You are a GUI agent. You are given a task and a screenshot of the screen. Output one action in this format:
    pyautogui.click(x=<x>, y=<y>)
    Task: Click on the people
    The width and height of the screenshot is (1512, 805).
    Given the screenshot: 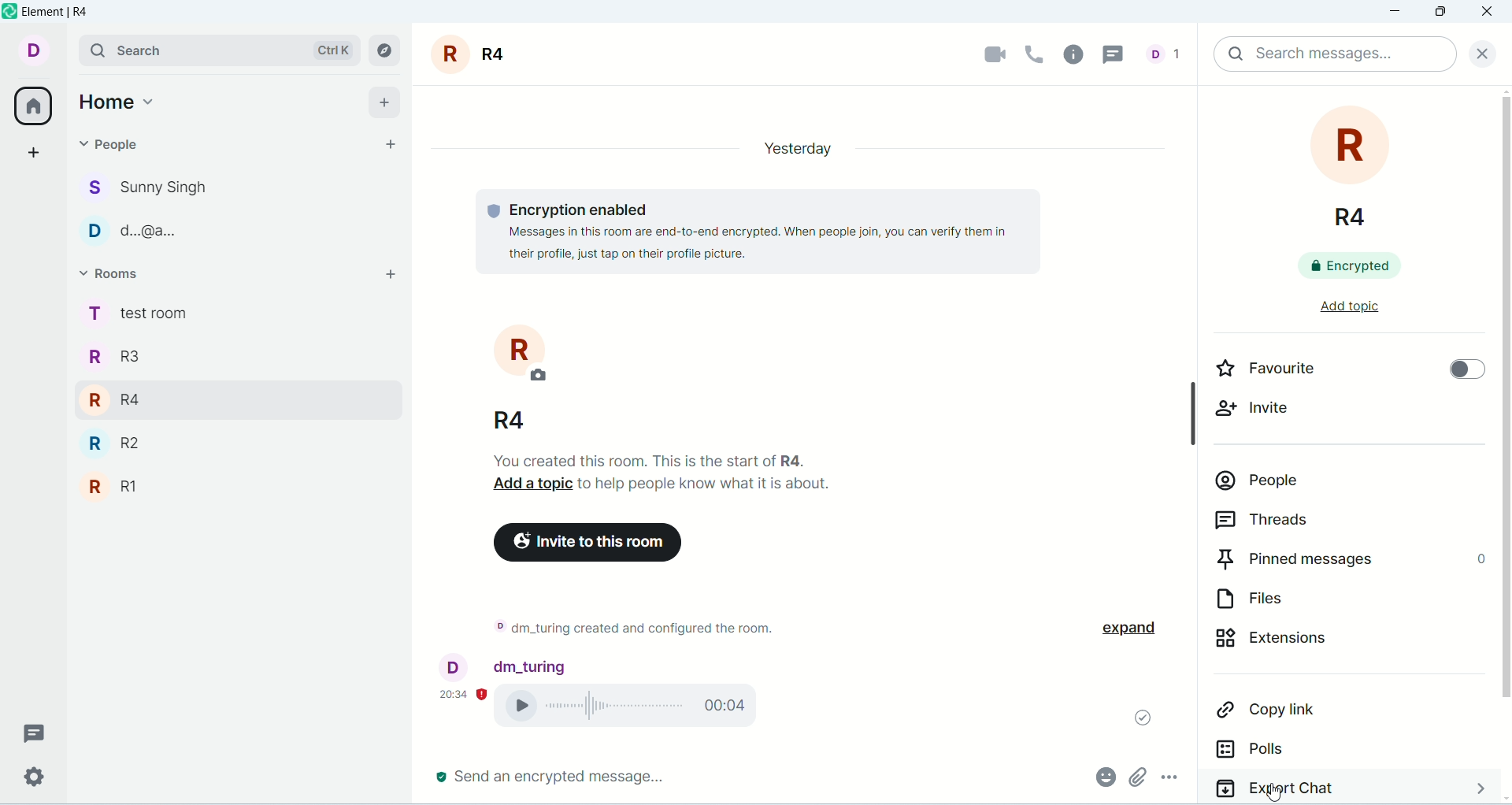 What is the action you would take?
    pyautogui.click(x=1333, y=483)
    